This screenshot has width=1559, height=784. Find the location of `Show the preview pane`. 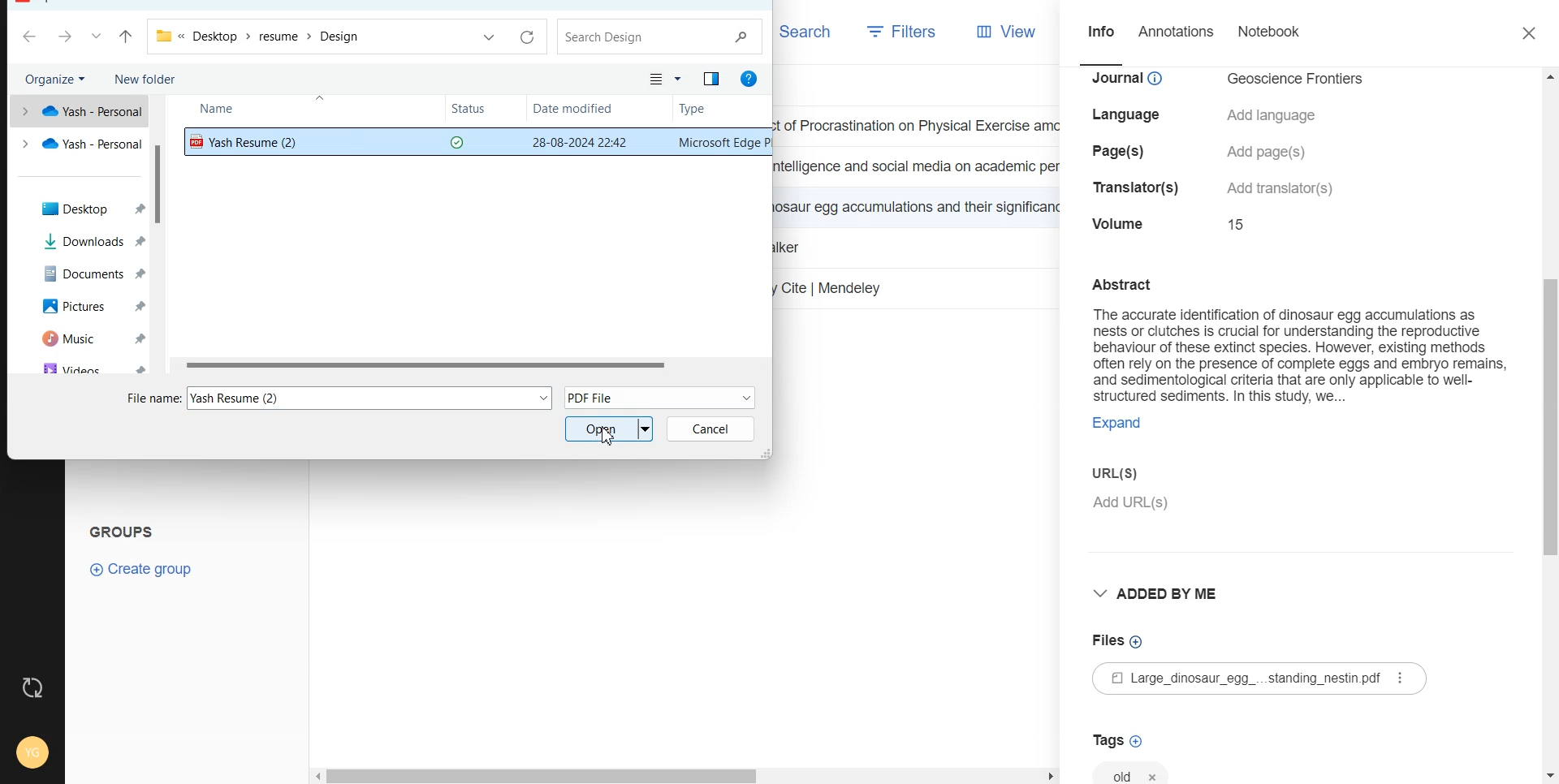

Show the preview pane is located at coordinates (711, 79).